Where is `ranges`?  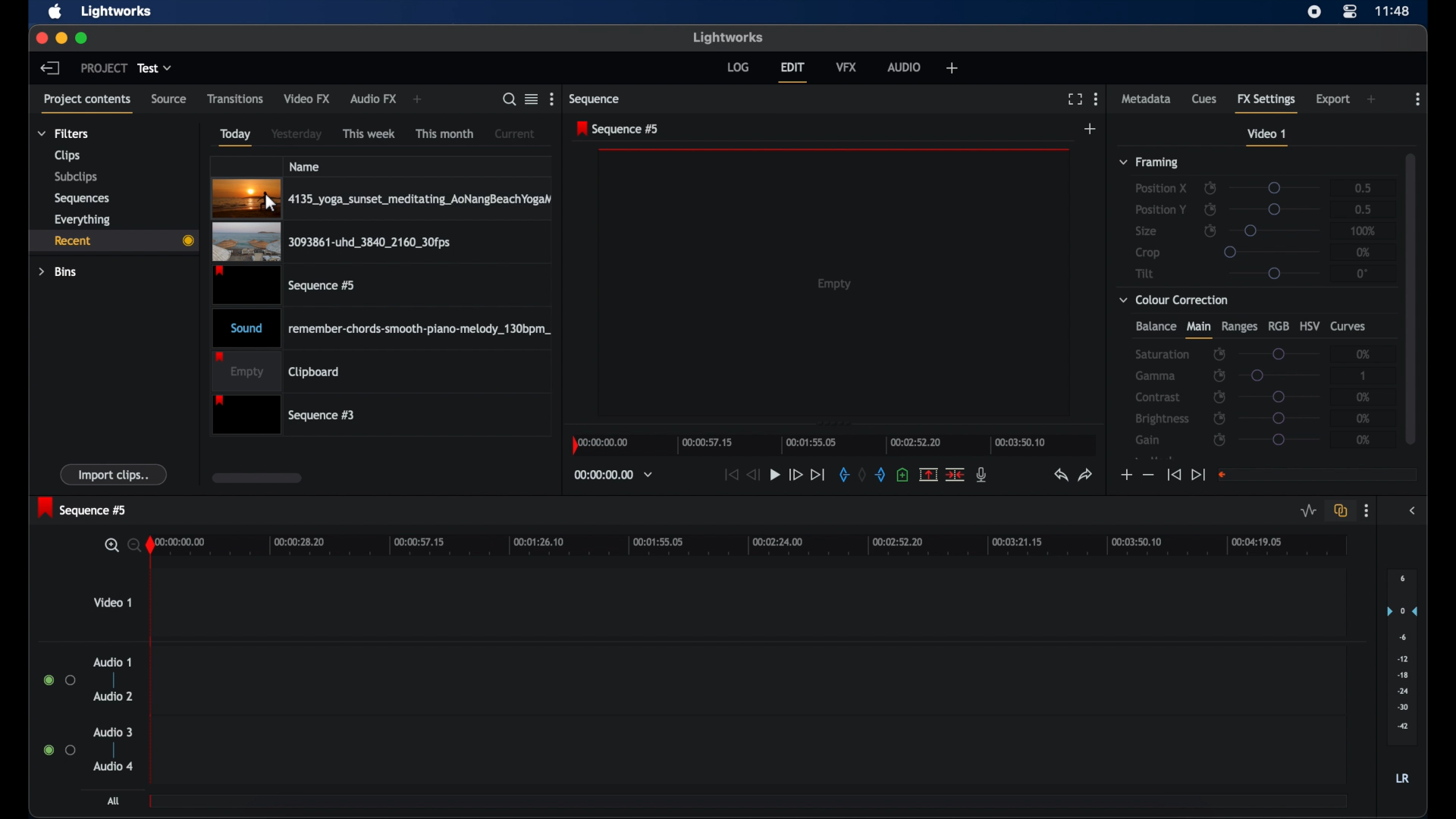 ranges is located at coordinates (1239, 327).